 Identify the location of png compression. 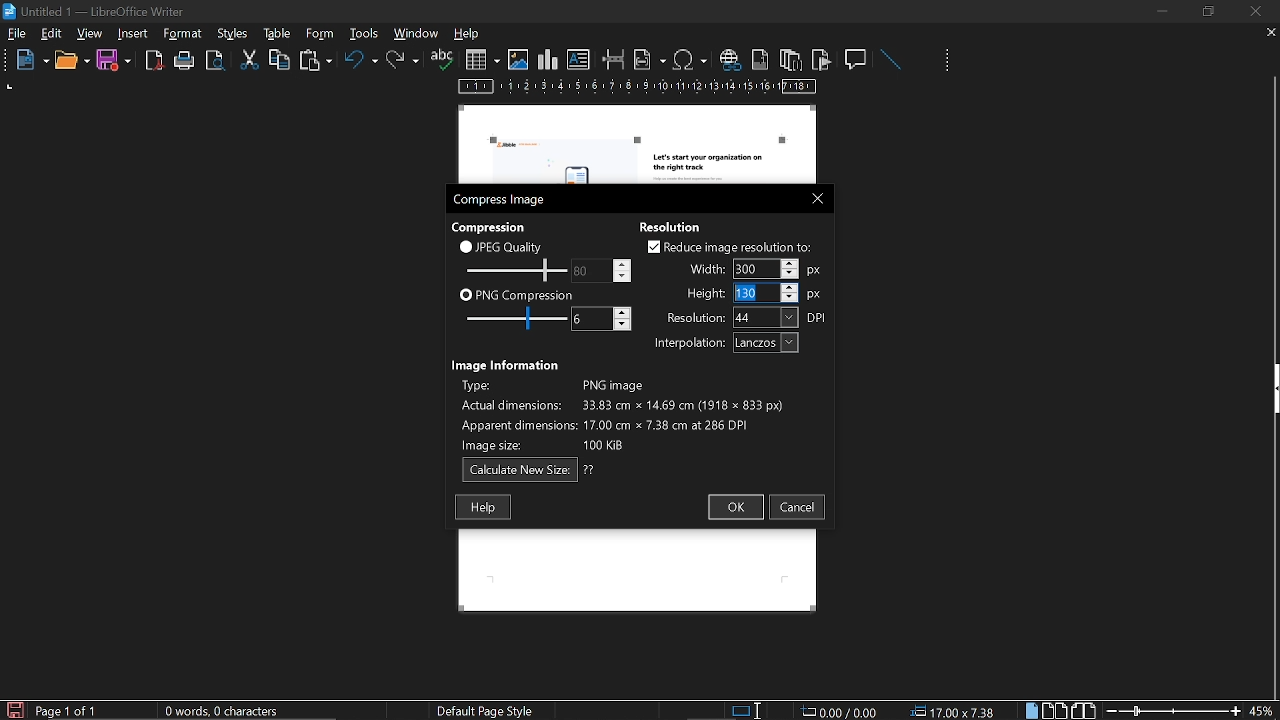
(517, 294).